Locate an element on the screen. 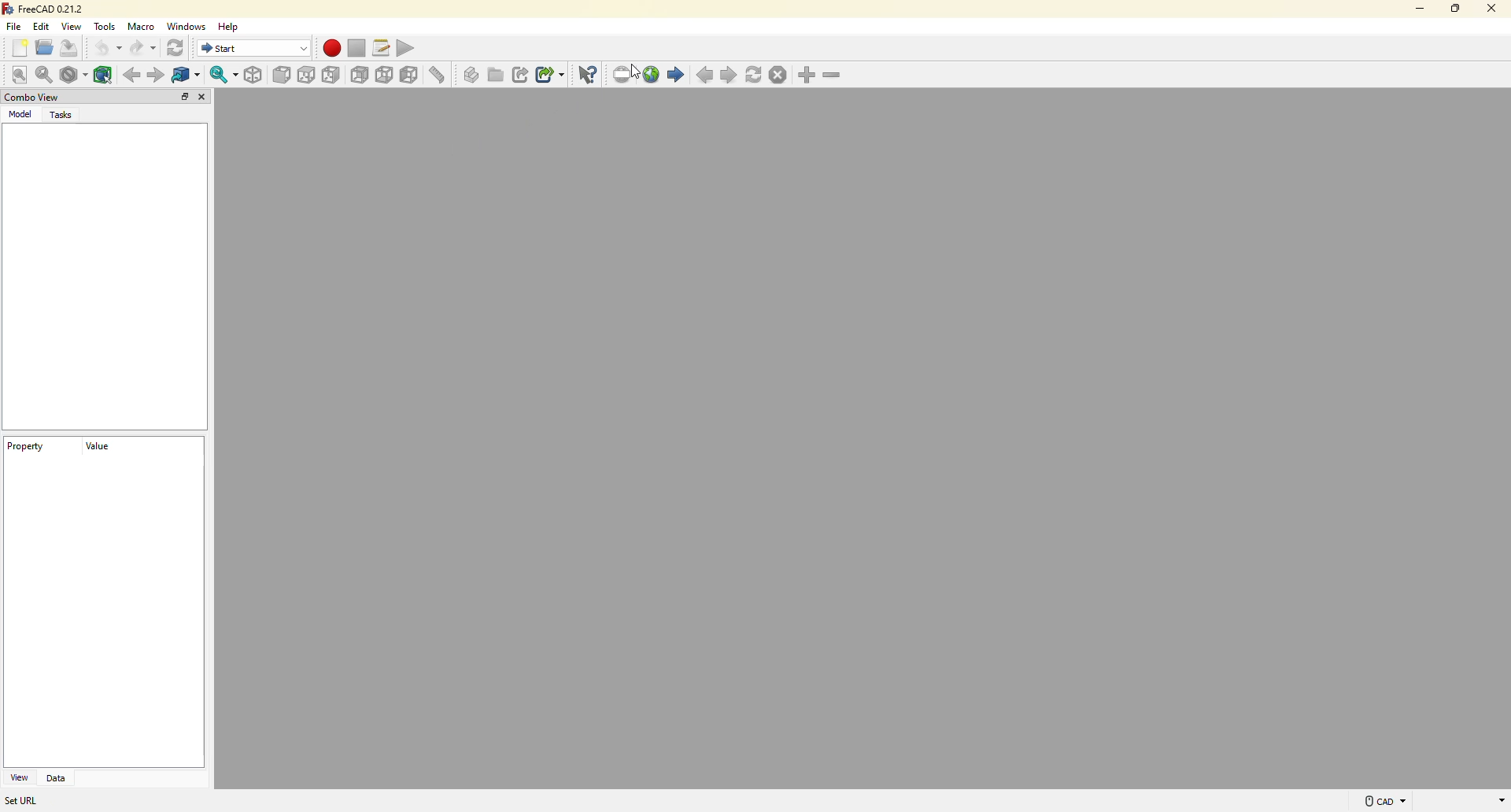 The image size is (1511, 812). windows is located at coordinates (190, 26).